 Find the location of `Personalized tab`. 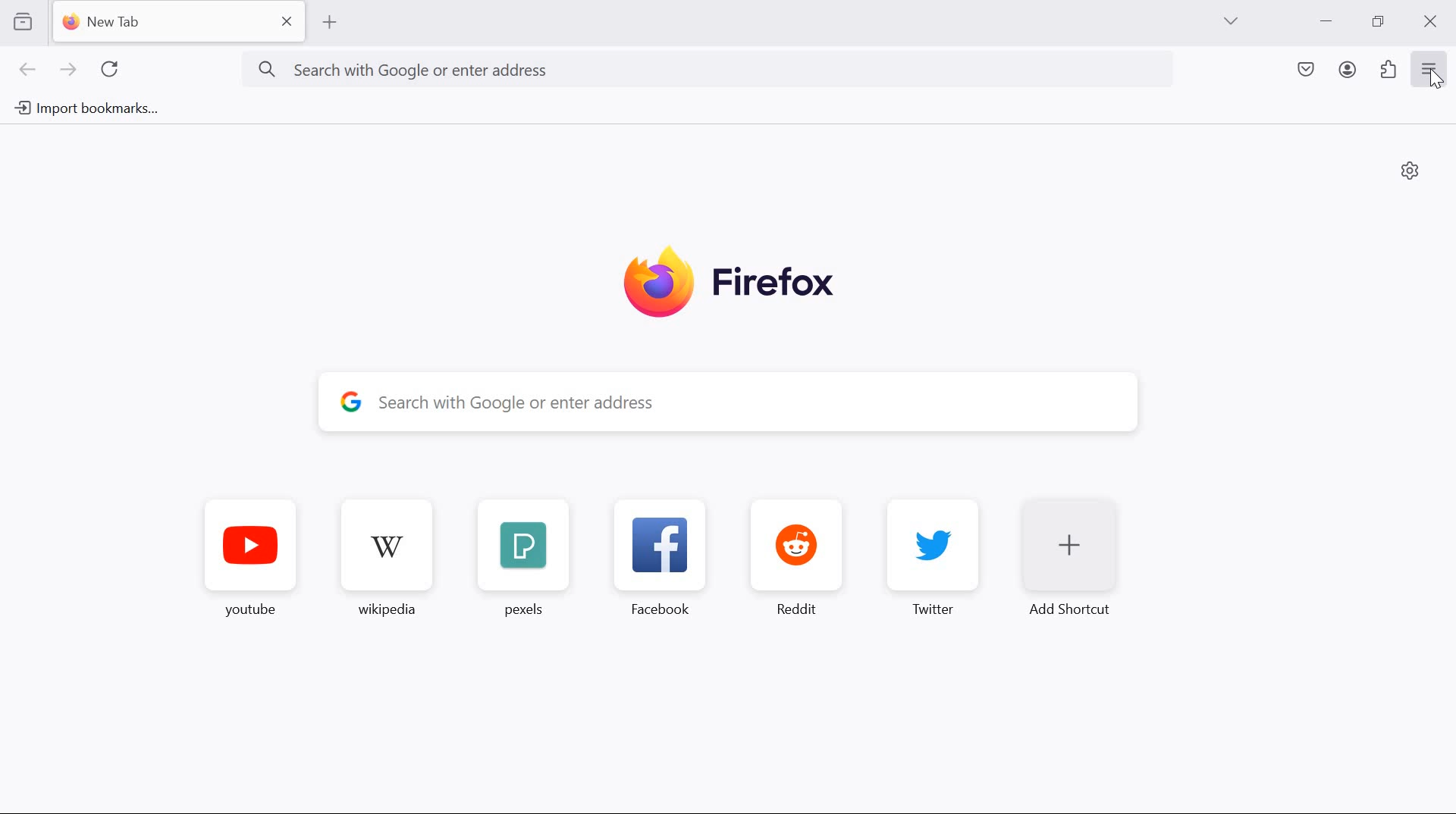

Personalized tab is located at coordinates (1410, 169).